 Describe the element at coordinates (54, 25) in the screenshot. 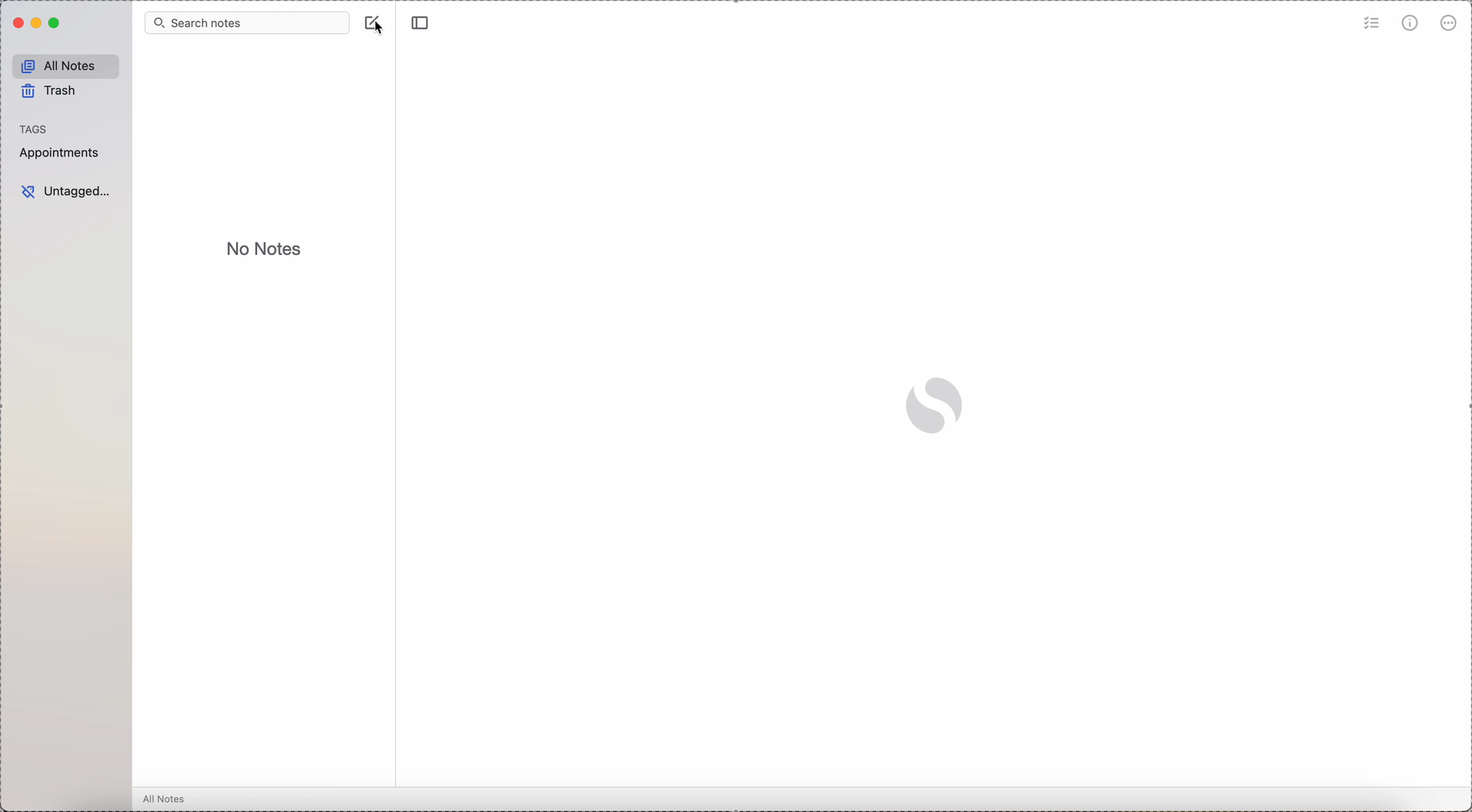

I see `maximize` at that location.